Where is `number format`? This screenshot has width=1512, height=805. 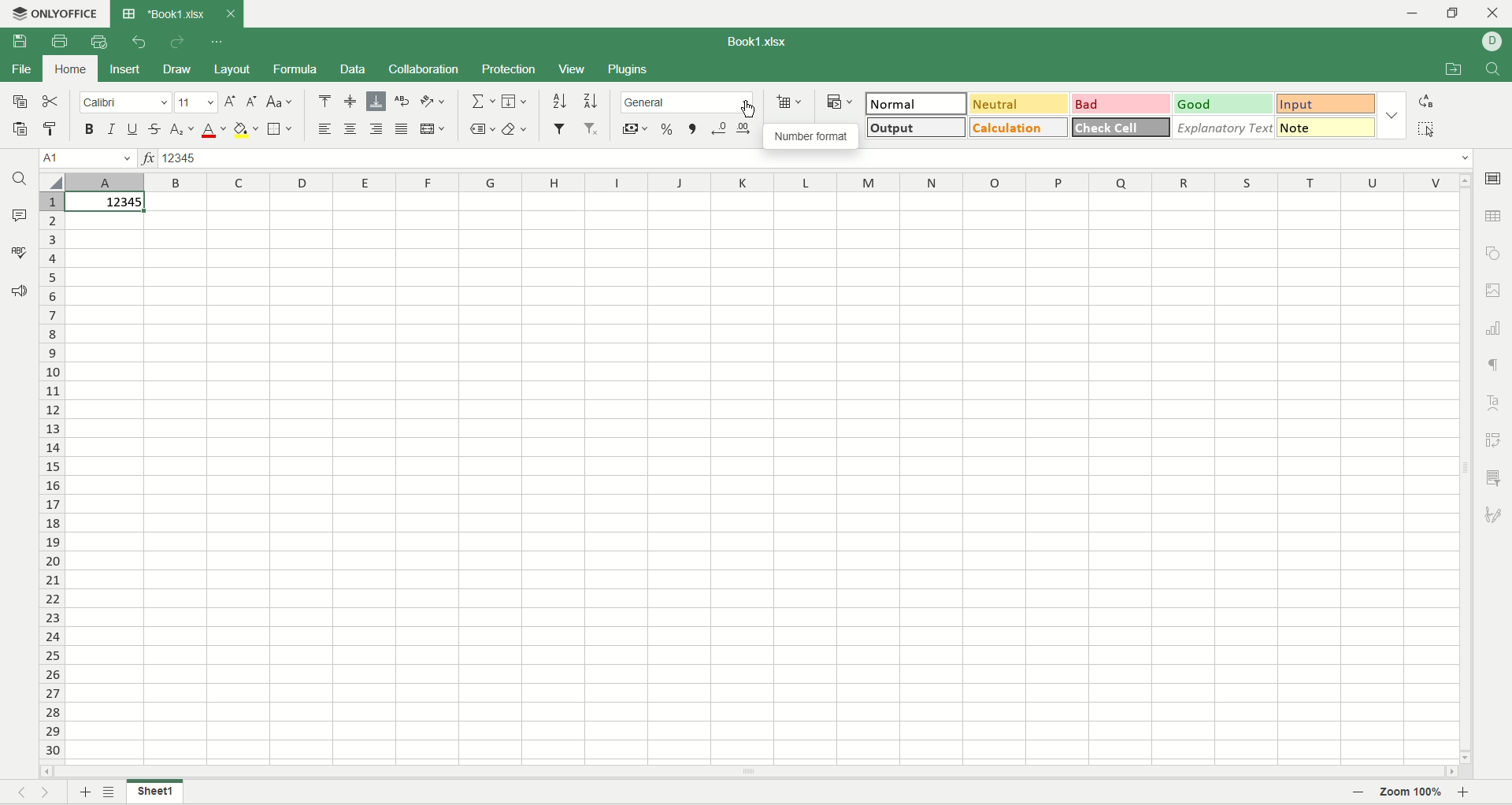 number format is located at coordinates (810, 136).